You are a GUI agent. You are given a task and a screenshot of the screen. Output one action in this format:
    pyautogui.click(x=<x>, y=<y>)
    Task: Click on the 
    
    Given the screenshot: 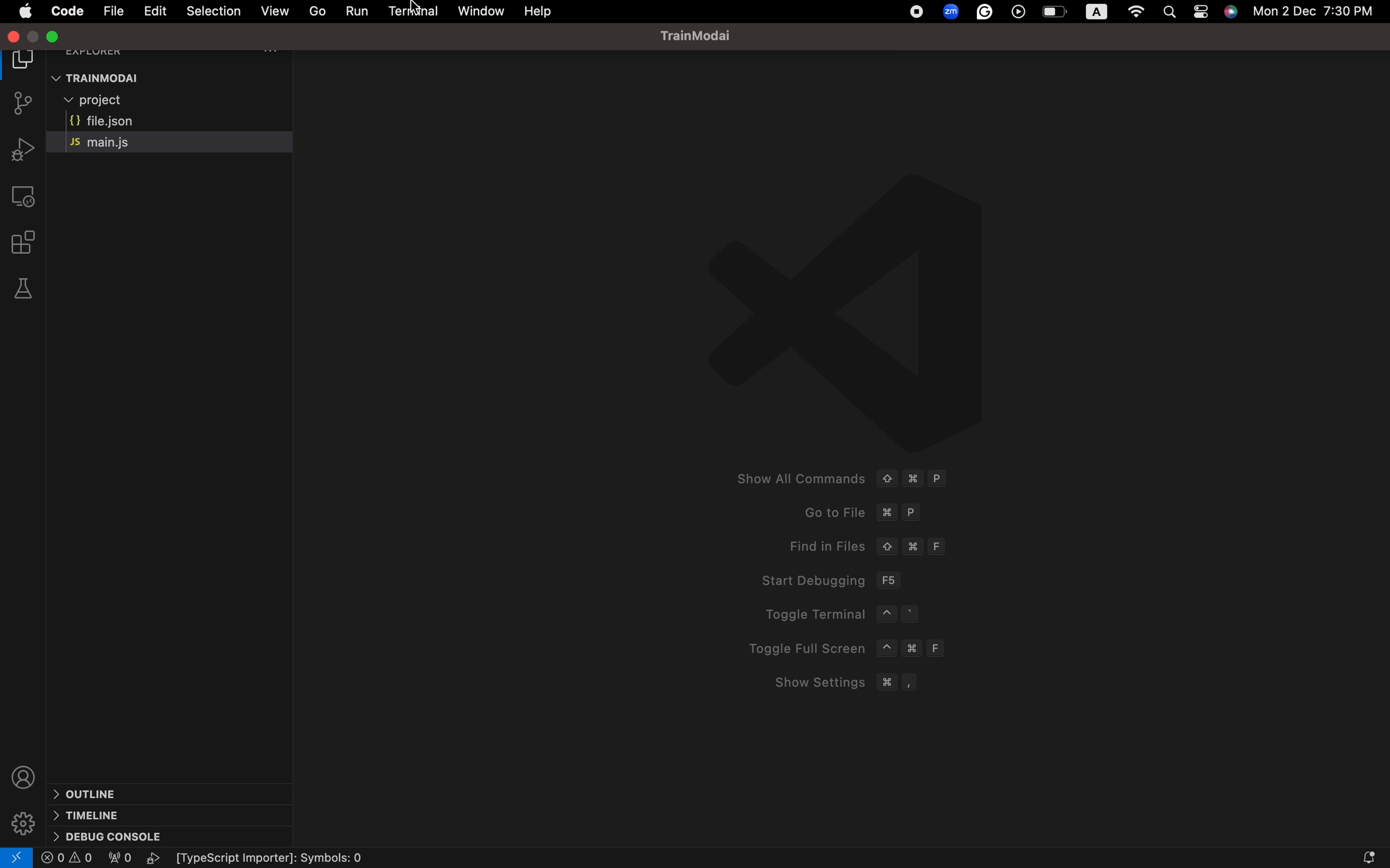 What is the action you would take?
    pyautogui.click(x=91, y=793)
    